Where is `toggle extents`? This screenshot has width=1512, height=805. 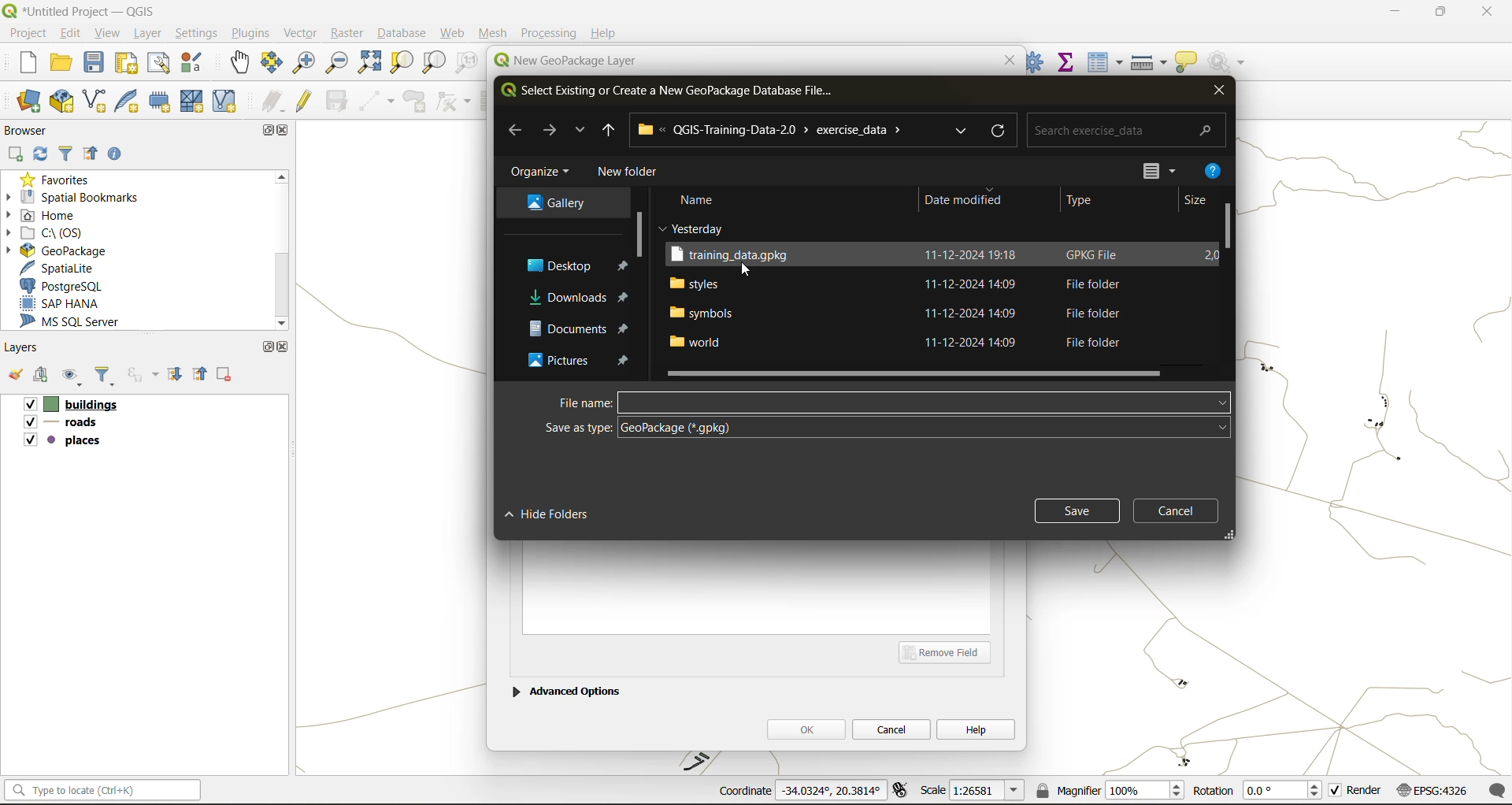
toggle extents is located at coordinates (902, 792).